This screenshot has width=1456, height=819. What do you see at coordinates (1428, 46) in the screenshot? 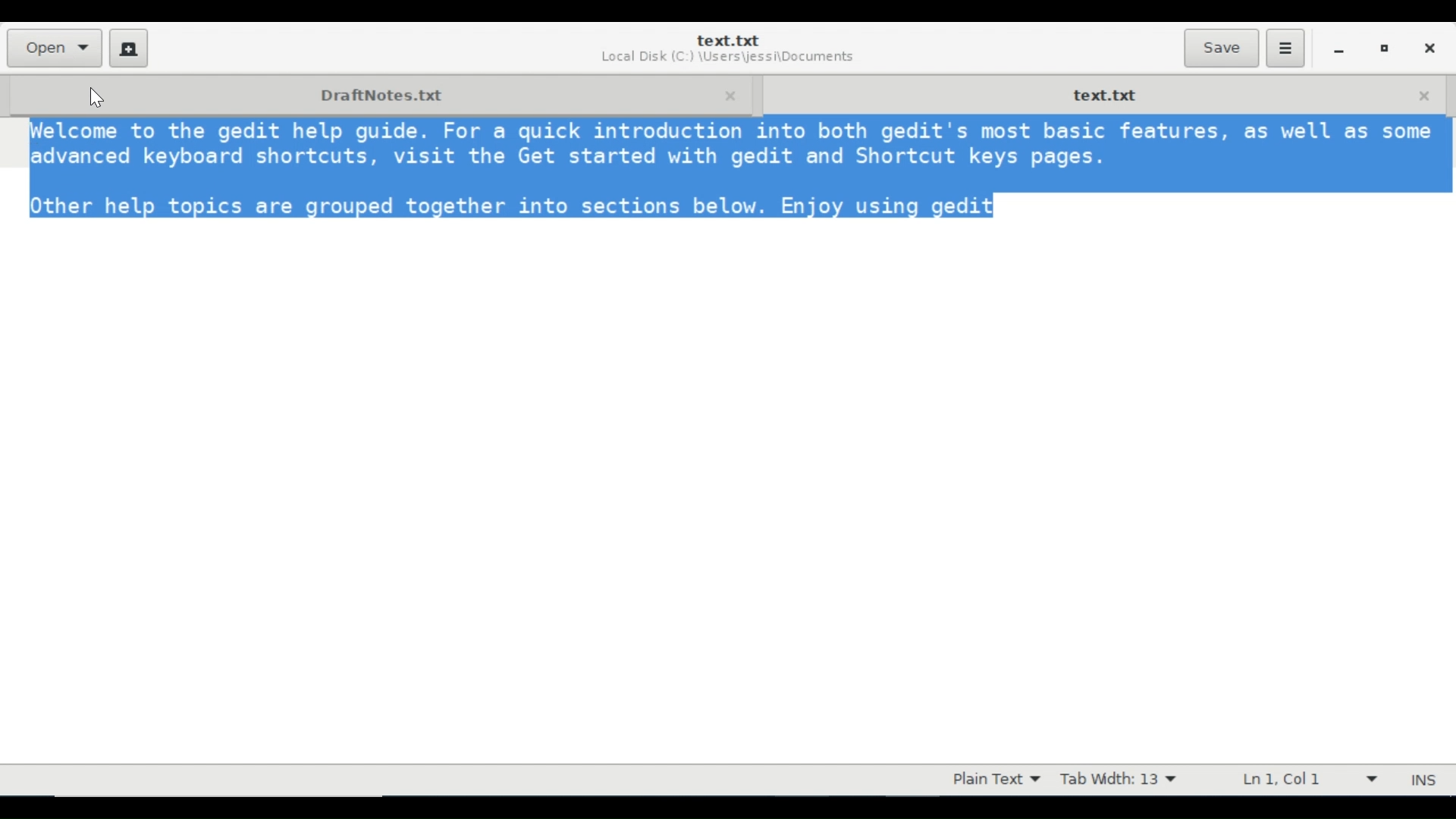
I see `Close` at bounding box center [1428, 46].